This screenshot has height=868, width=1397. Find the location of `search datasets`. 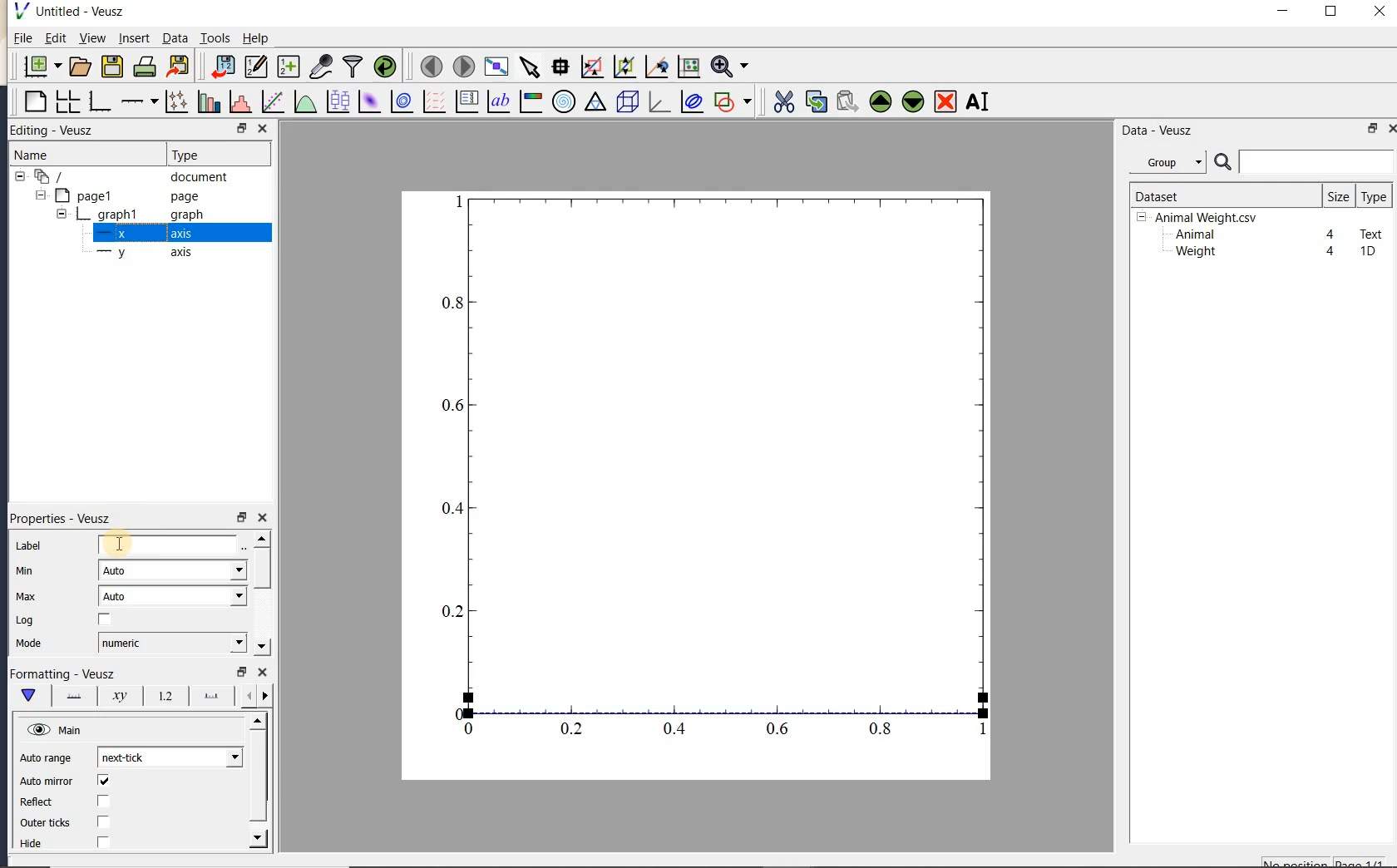

search datasets is located at coordinates (1304, 162).